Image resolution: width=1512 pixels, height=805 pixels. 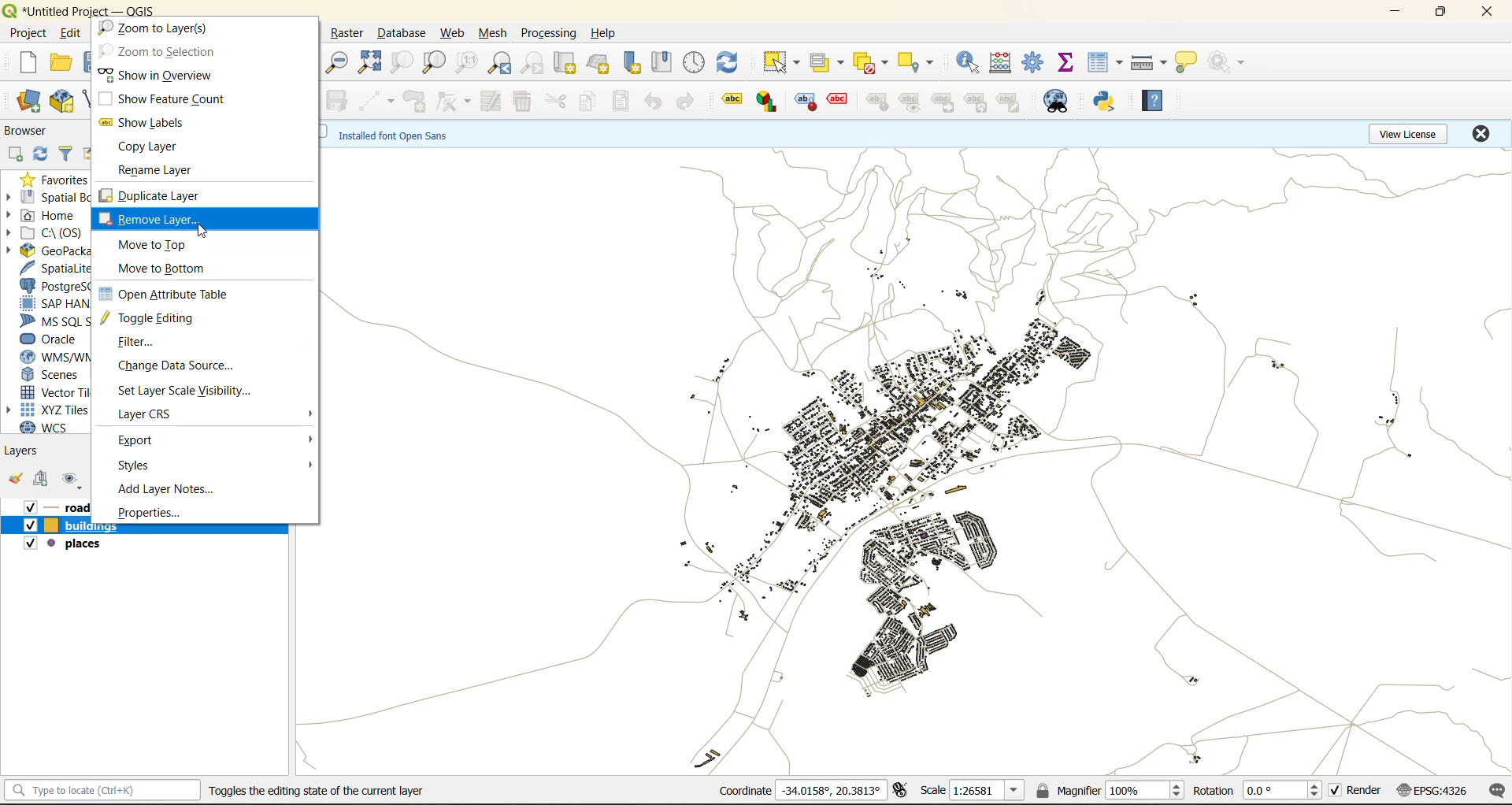 What do you see at coordinates (697, 62) in the screenshot?
I see `control panel` at bounding box center [697, 62].